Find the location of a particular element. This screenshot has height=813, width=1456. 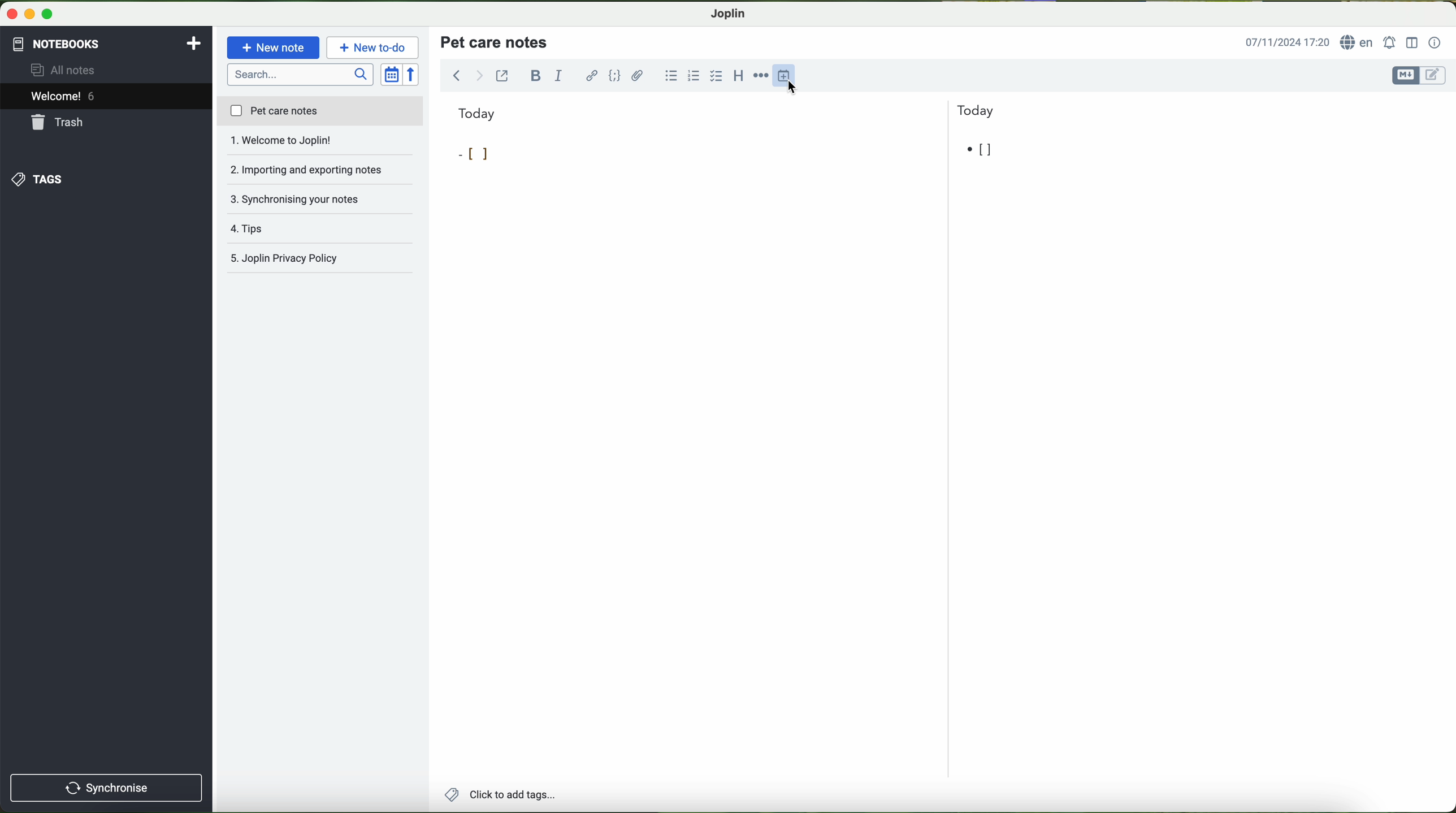

toggle sort order field is located at coordinates (392, 75).